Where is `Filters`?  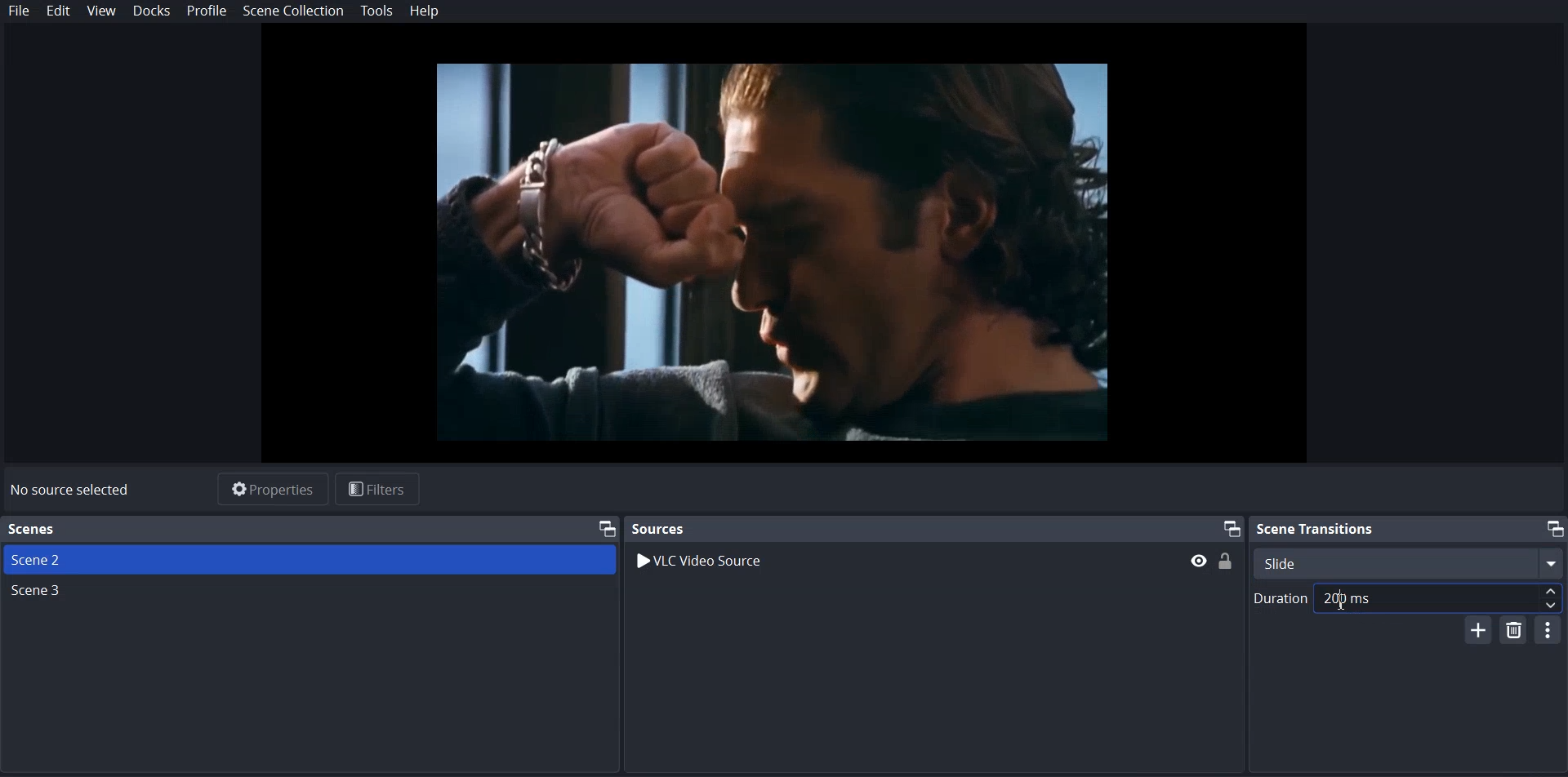 Filters is located at coordinates (378, 490).